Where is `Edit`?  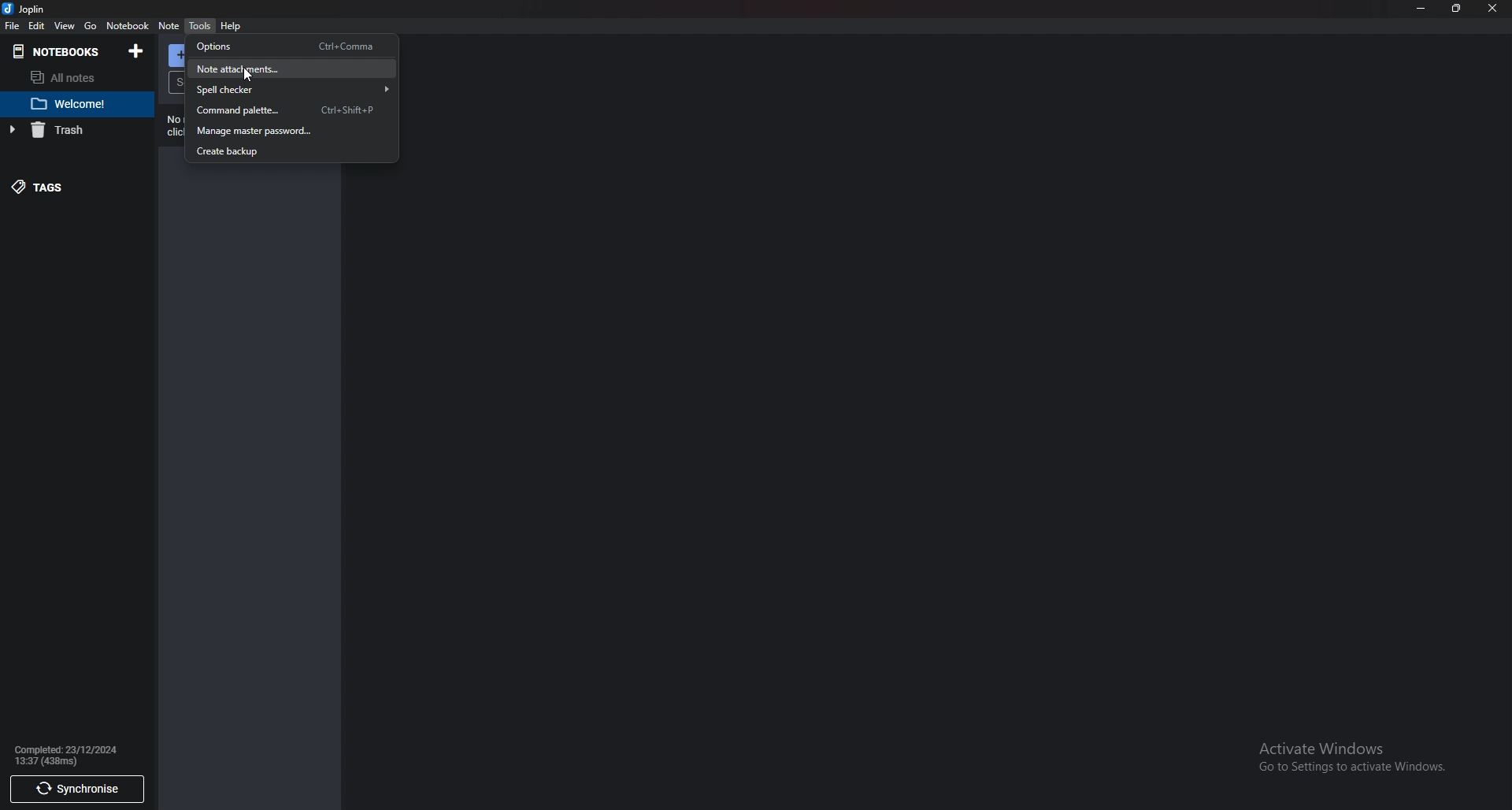
Edit is located at coordinates (37, 26).